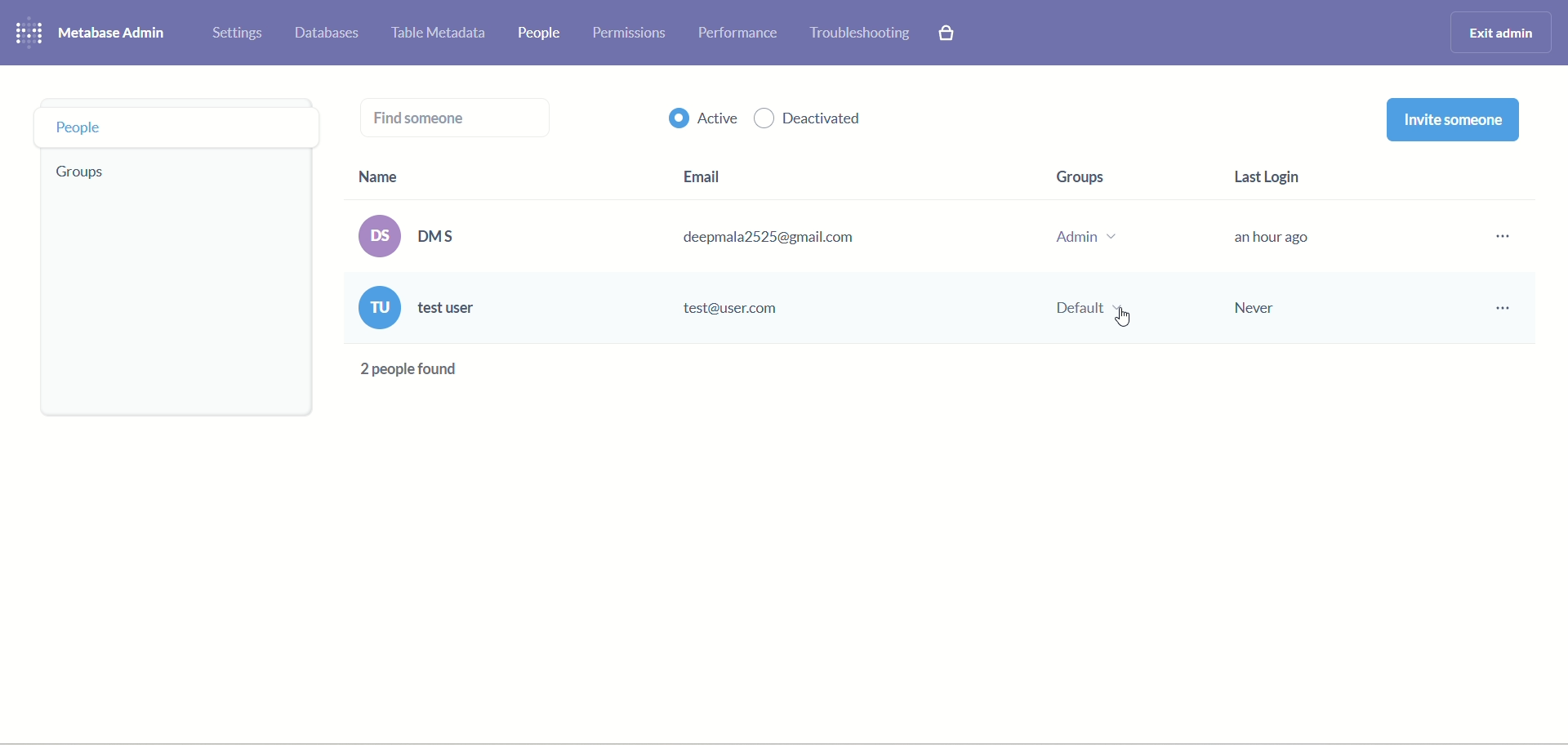  What do you see at coordinates (1267, 252) in the screenshot?
I see `last login` at bounding box center [1267, 252].